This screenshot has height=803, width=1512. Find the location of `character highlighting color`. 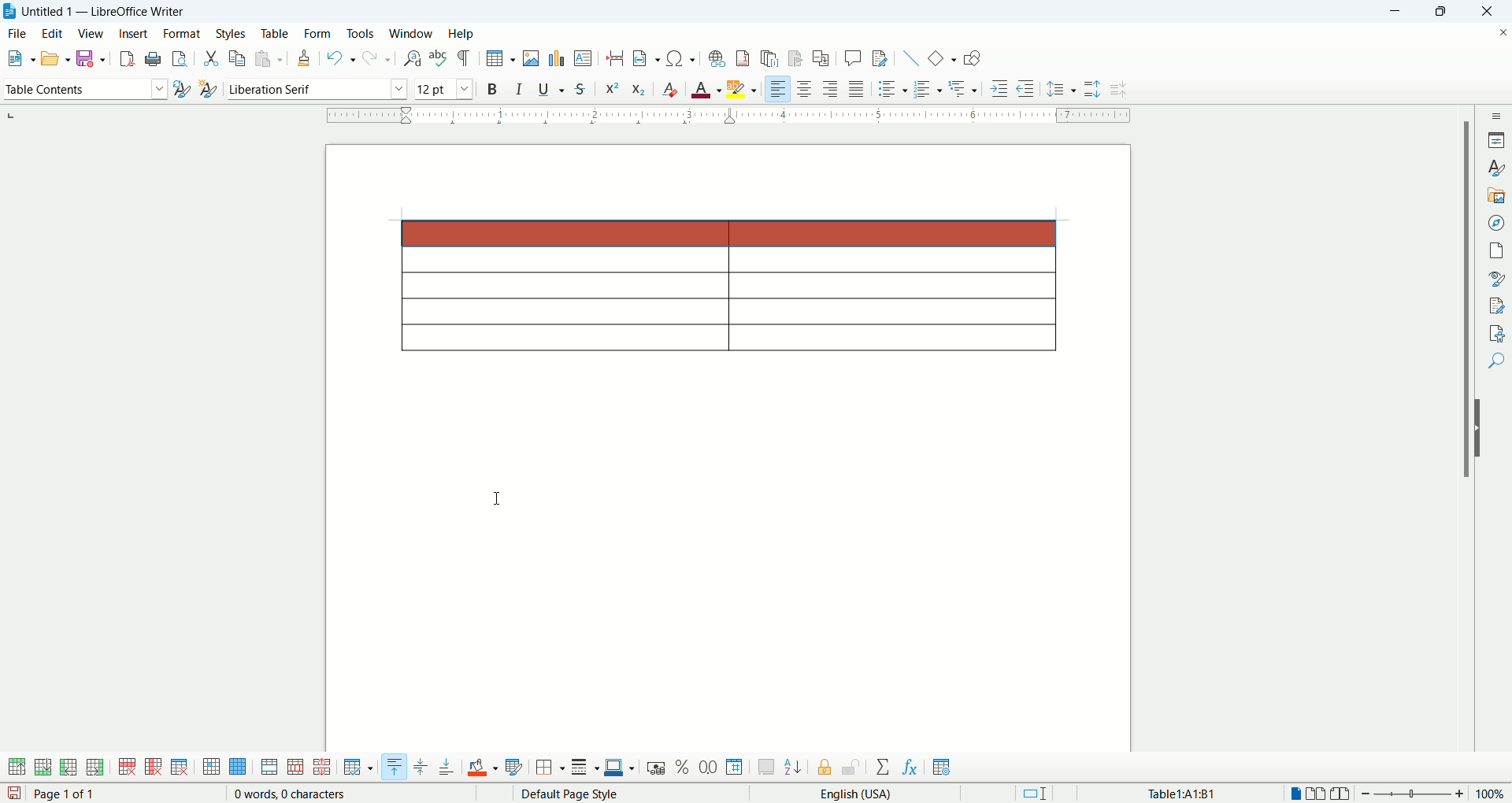

character highlighting color is located at coordinates (743, 89).